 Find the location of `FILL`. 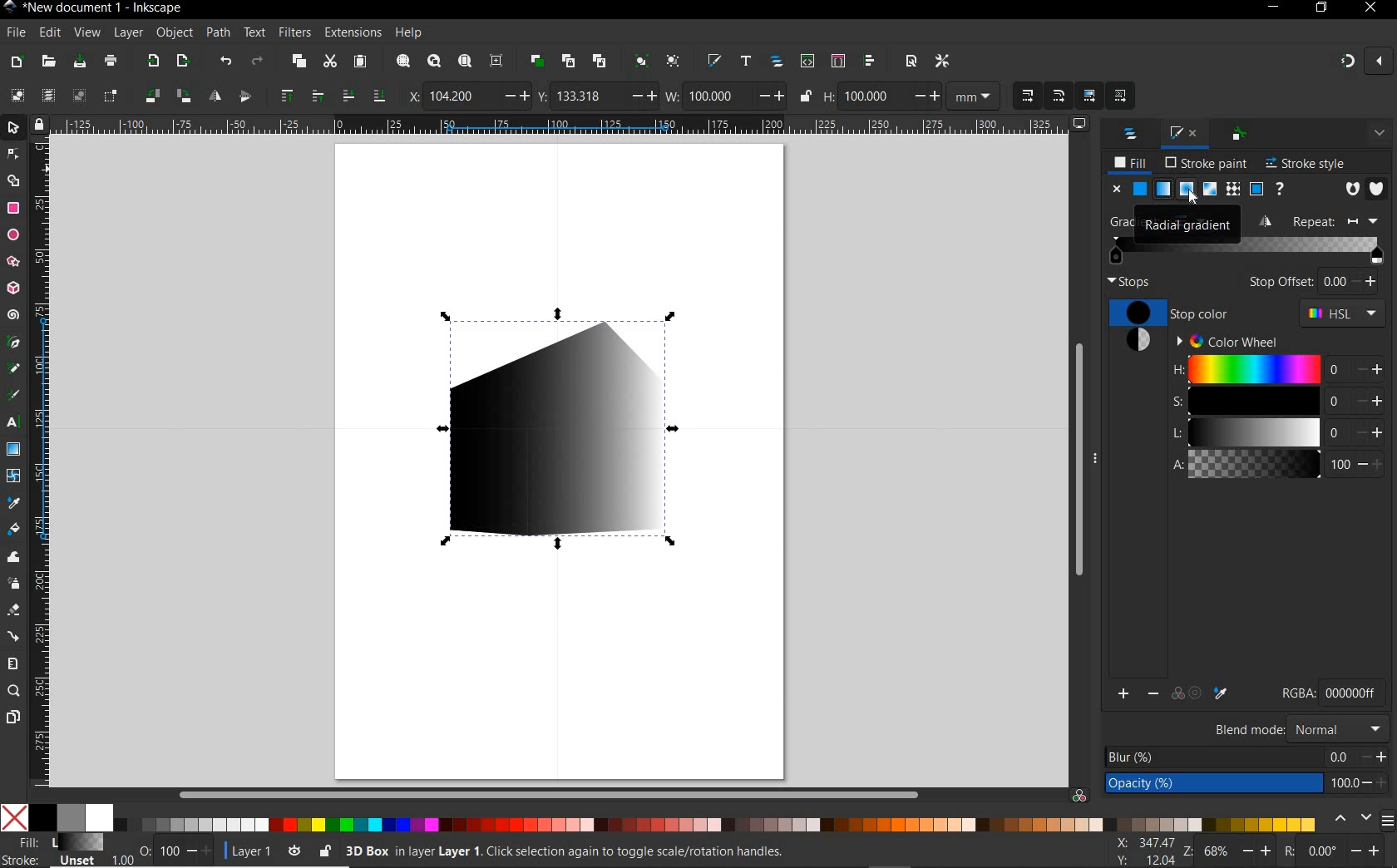

FILL is located at coordinates (1130, 163).